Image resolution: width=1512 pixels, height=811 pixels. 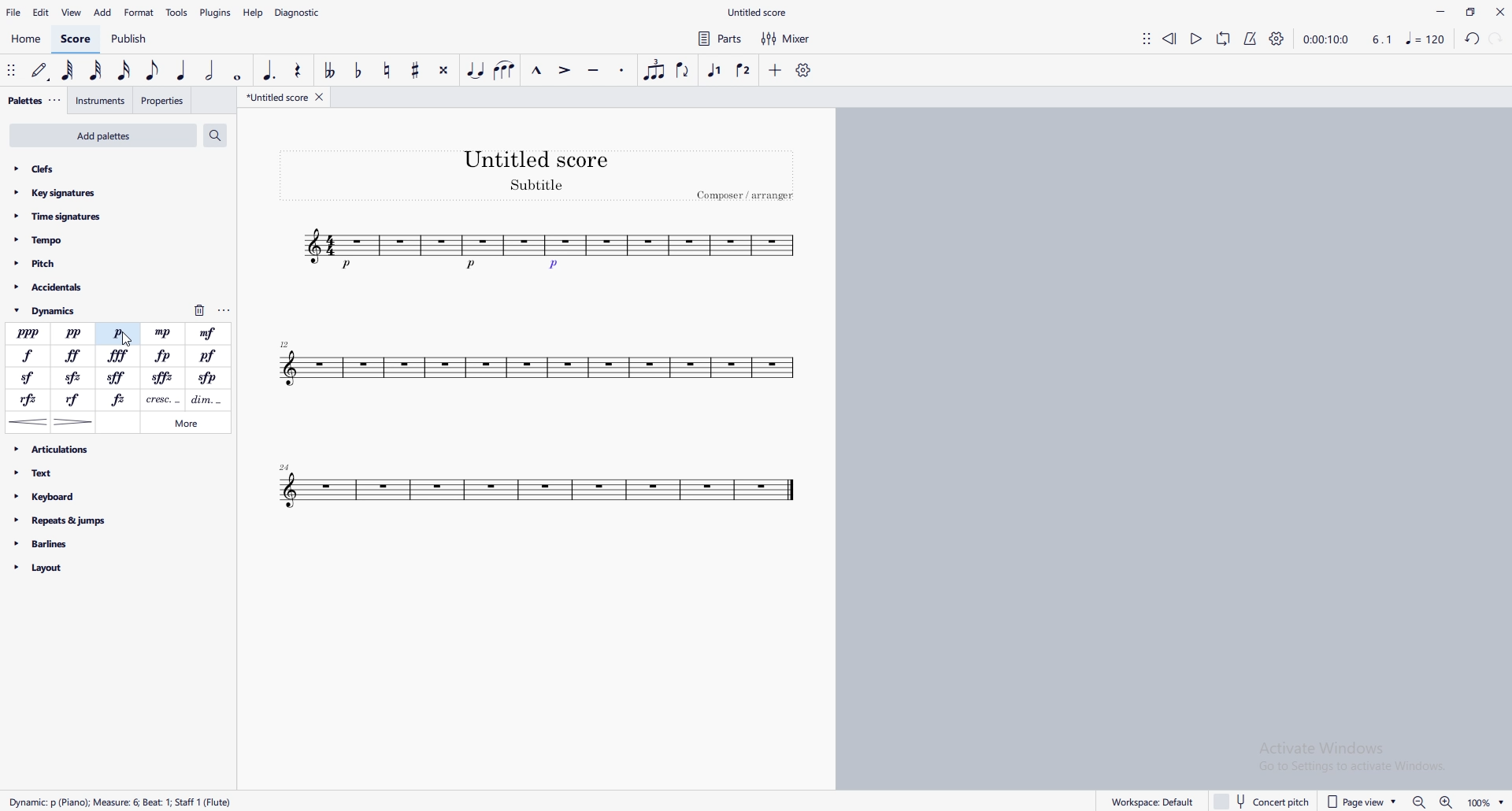 I want to click on barlines, so click(x=99, y=543).